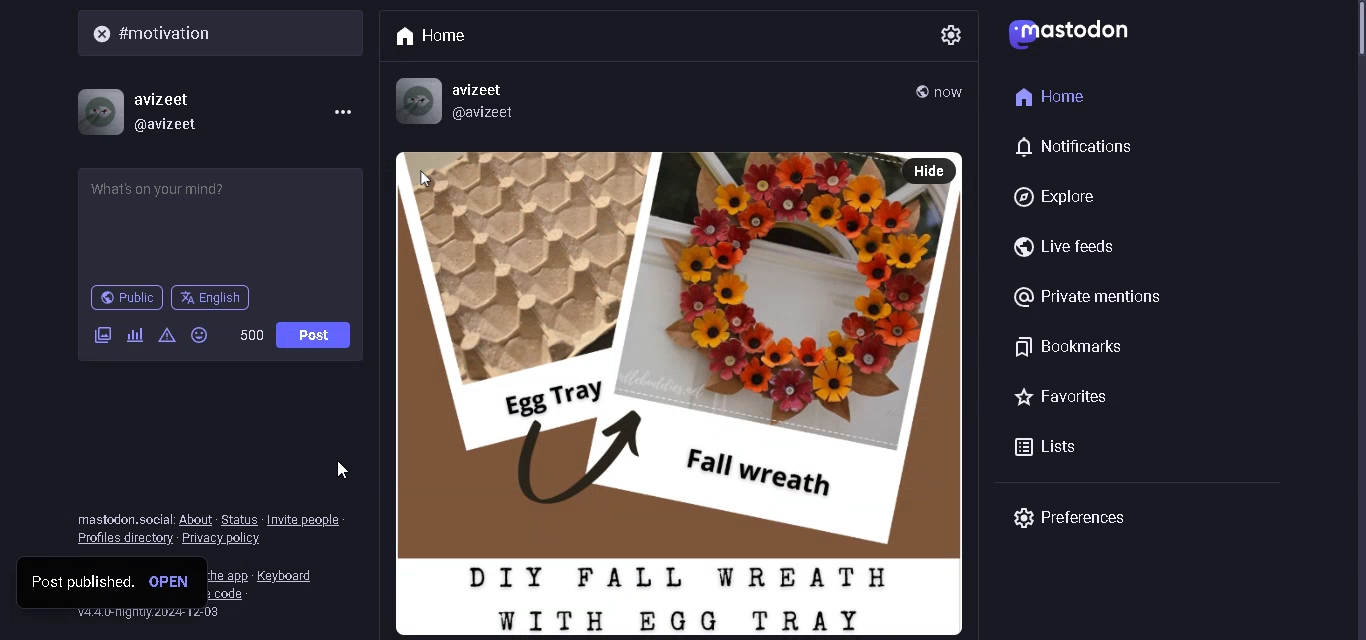 Image resolution: width=1366 pixels, height=640 pixels. What do you see at coordinates (219, 226) in the screenshot?
I see `What's on your mind?` at bounding box center [219, 226].